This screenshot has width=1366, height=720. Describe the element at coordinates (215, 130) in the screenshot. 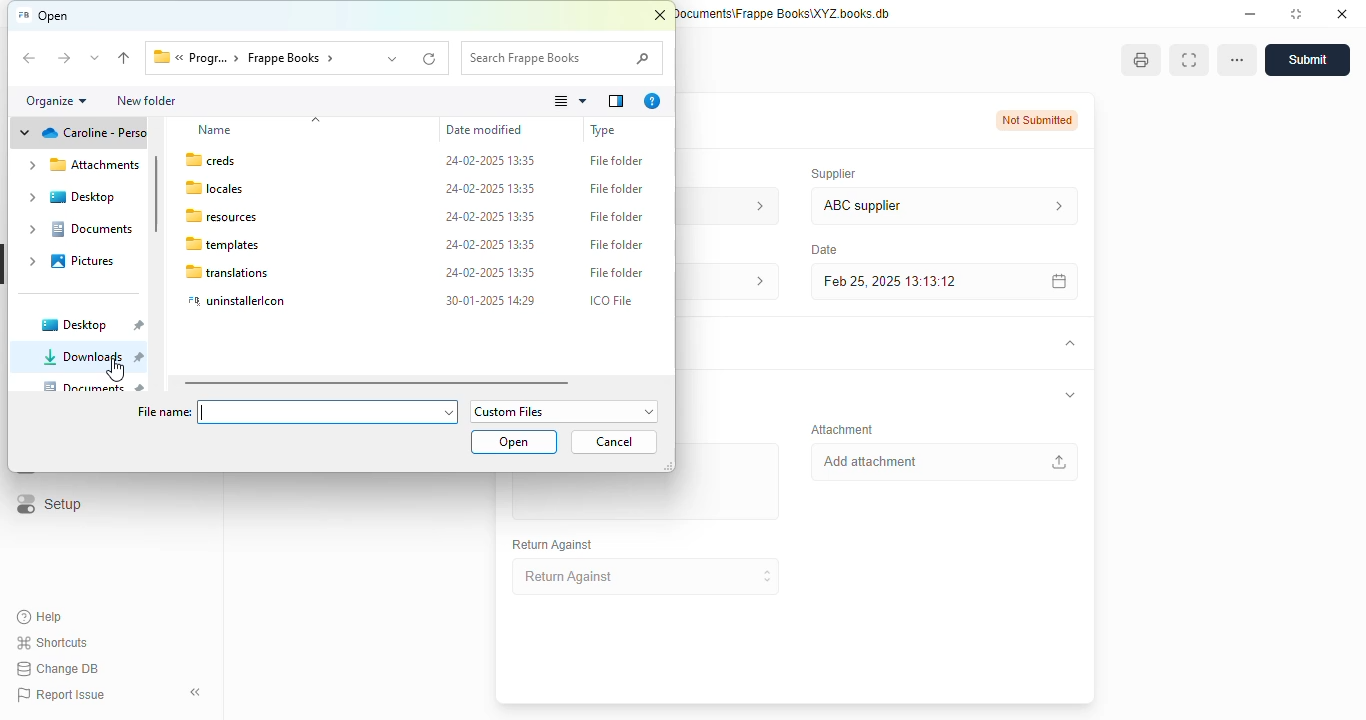

I see `name` at that location.